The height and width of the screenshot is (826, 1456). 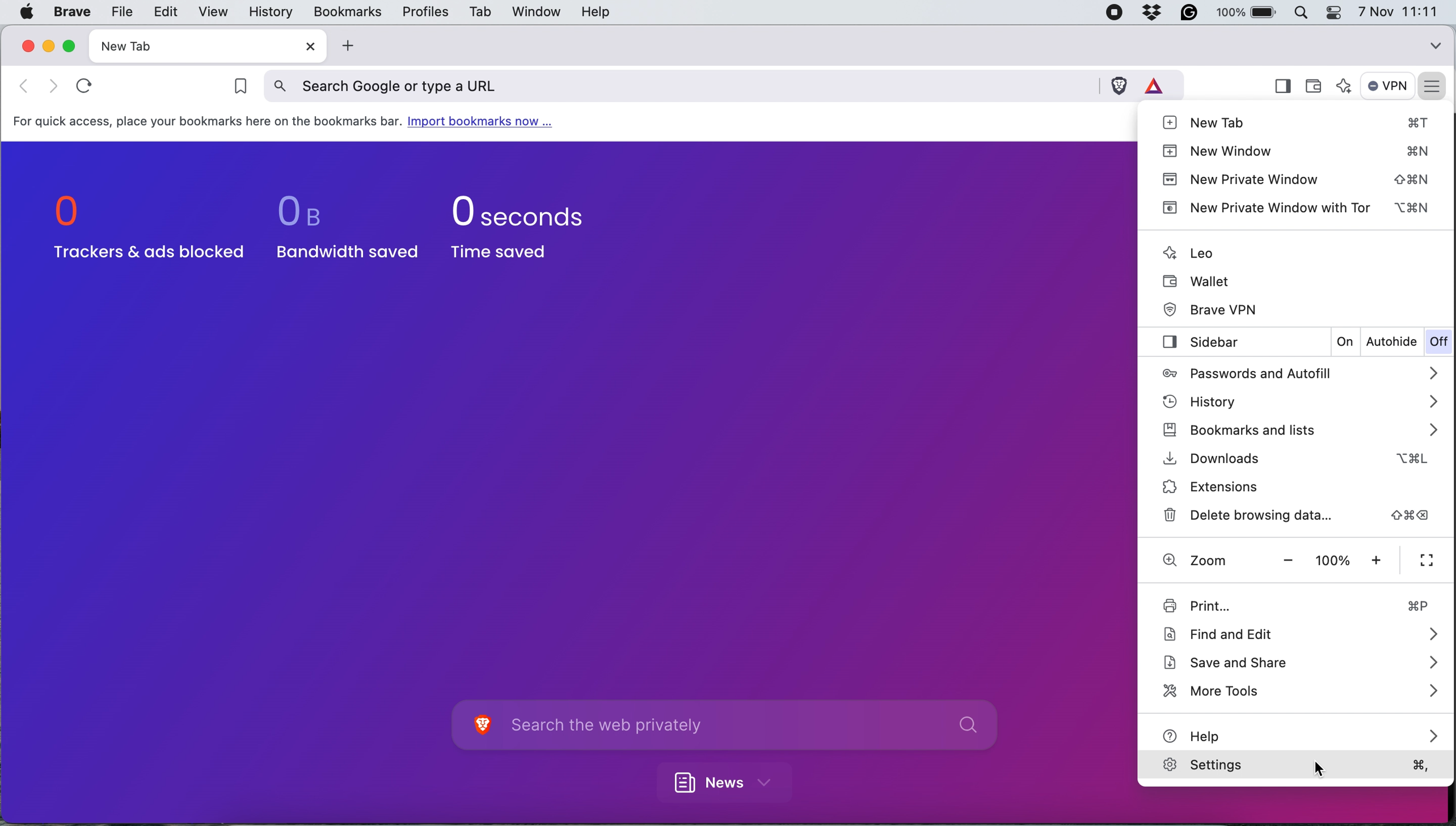 What do you see at coordinates (478, 14) in the screenshot?
I see `tab` at bounding box center [478, 14].